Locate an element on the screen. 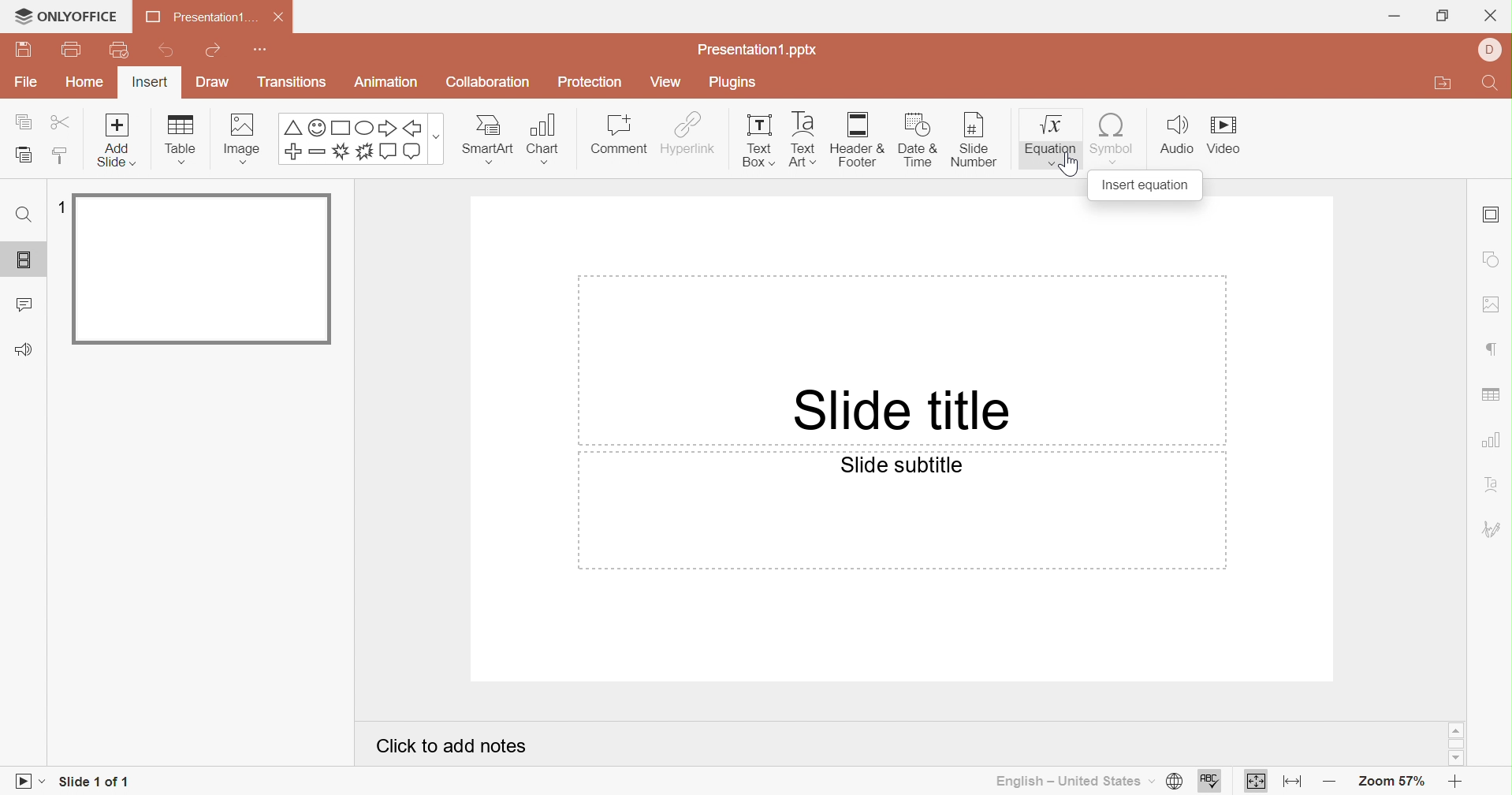  View is located at coordinates (667, 82).